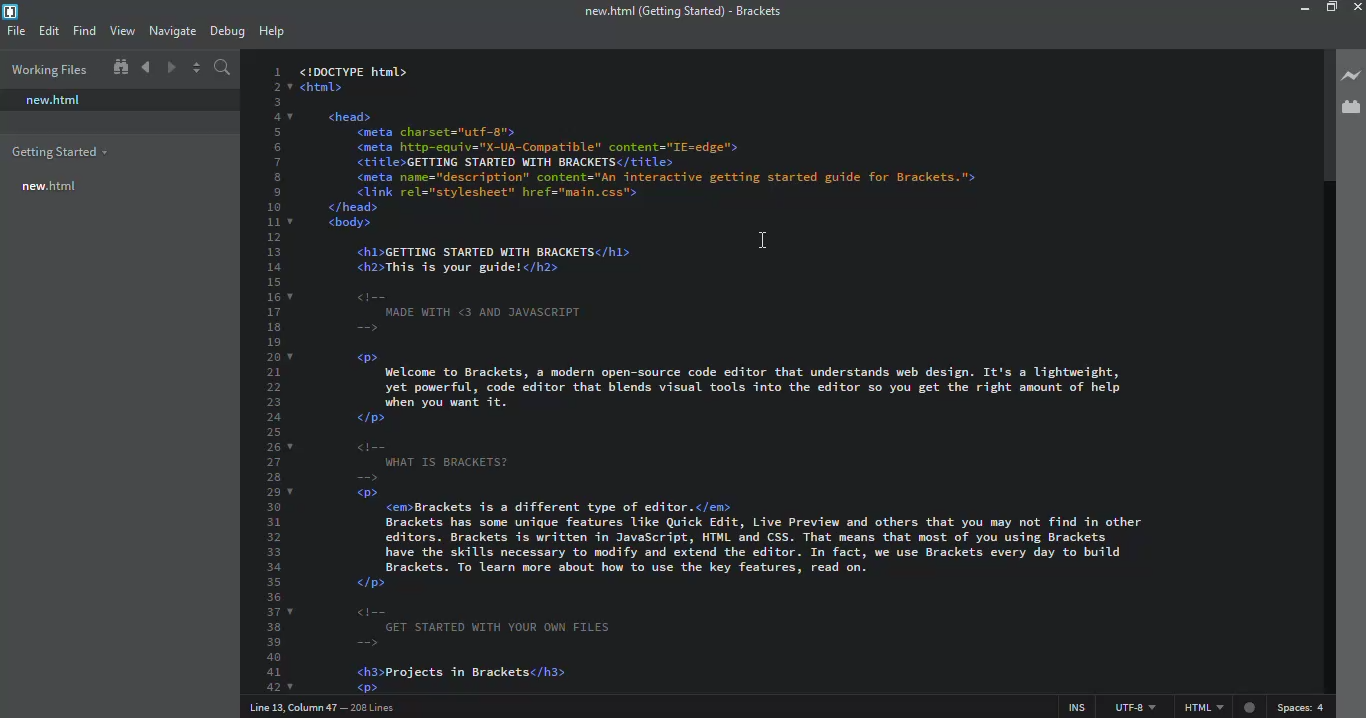 This screenshot has height=718, width=1366. I want to click on show in file tree, so click(121, 67).